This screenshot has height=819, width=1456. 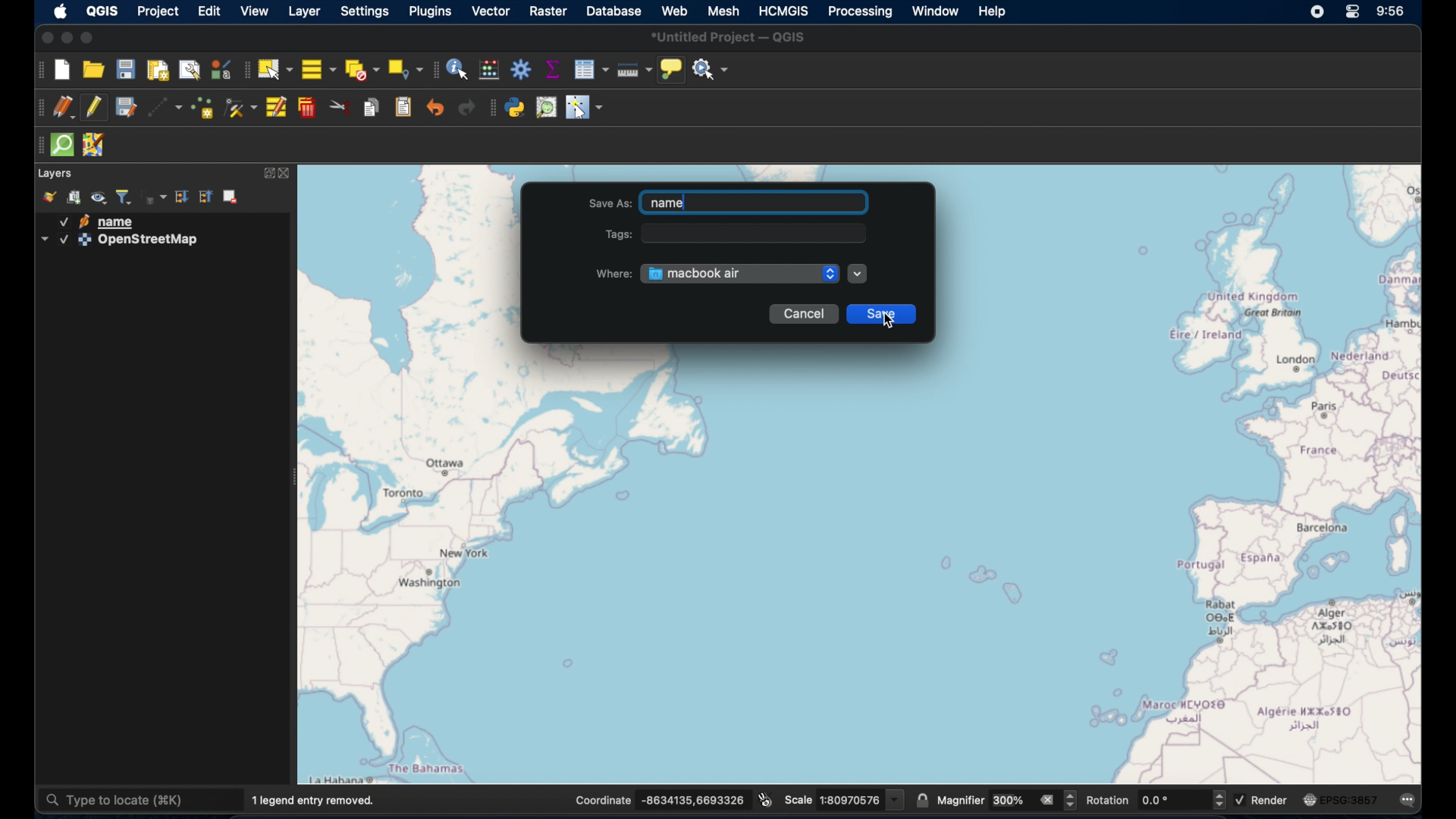 I want to click on render, so click(x=1263, y=799).